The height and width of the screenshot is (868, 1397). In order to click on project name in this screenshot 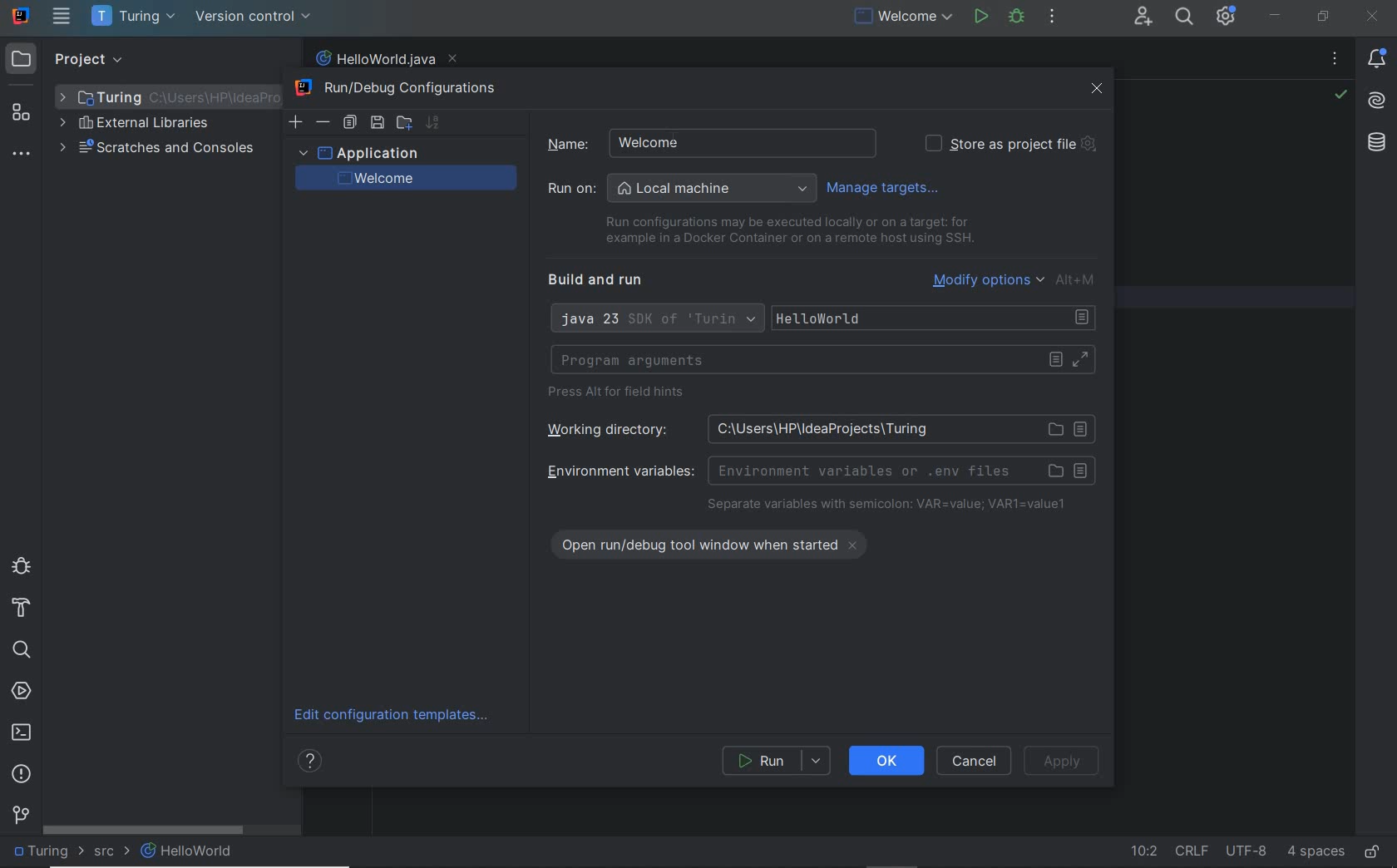, I will do `click(136, 17)`.